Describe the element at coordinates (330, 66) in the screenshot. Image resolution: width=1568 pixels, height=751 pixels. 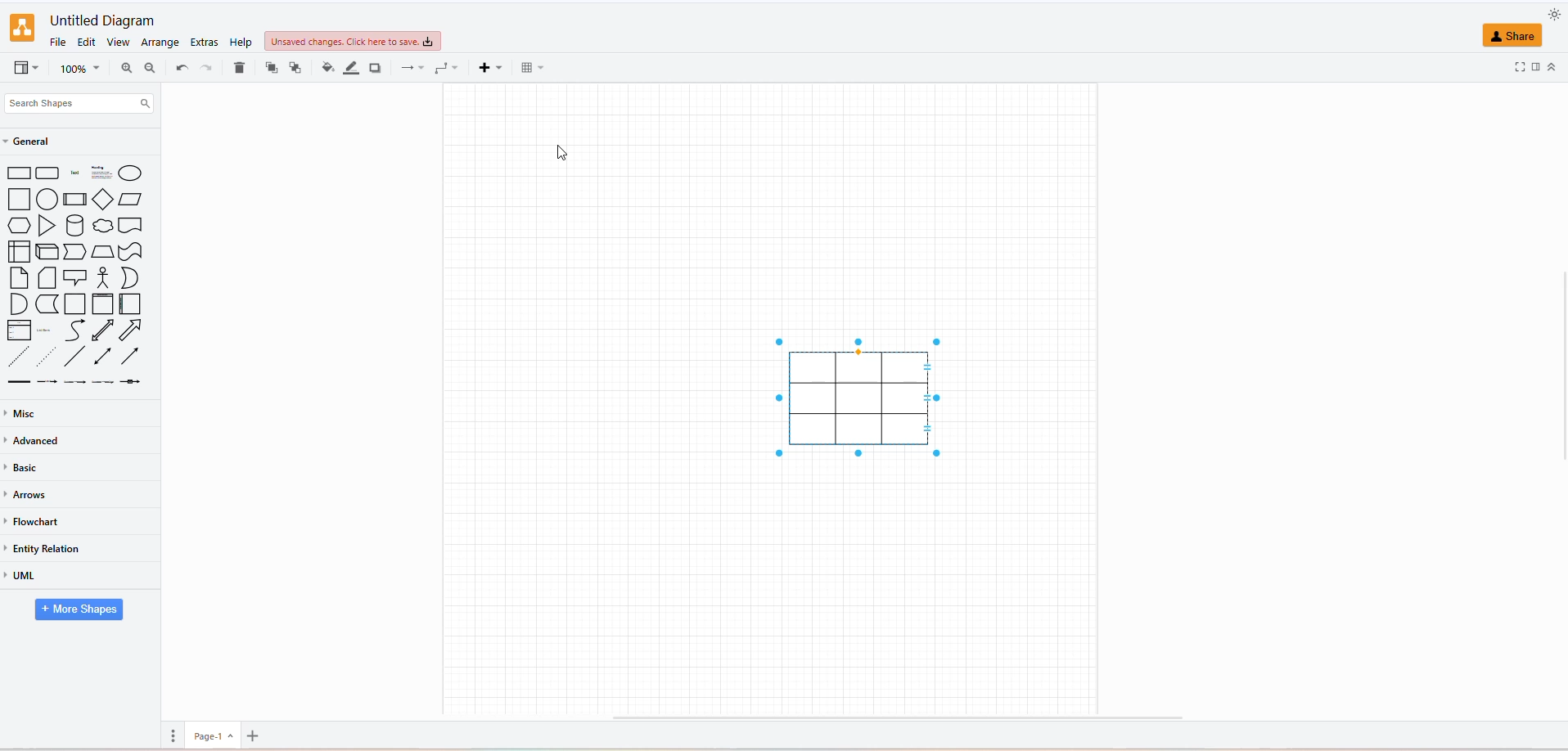
I see `fill color` at that location.